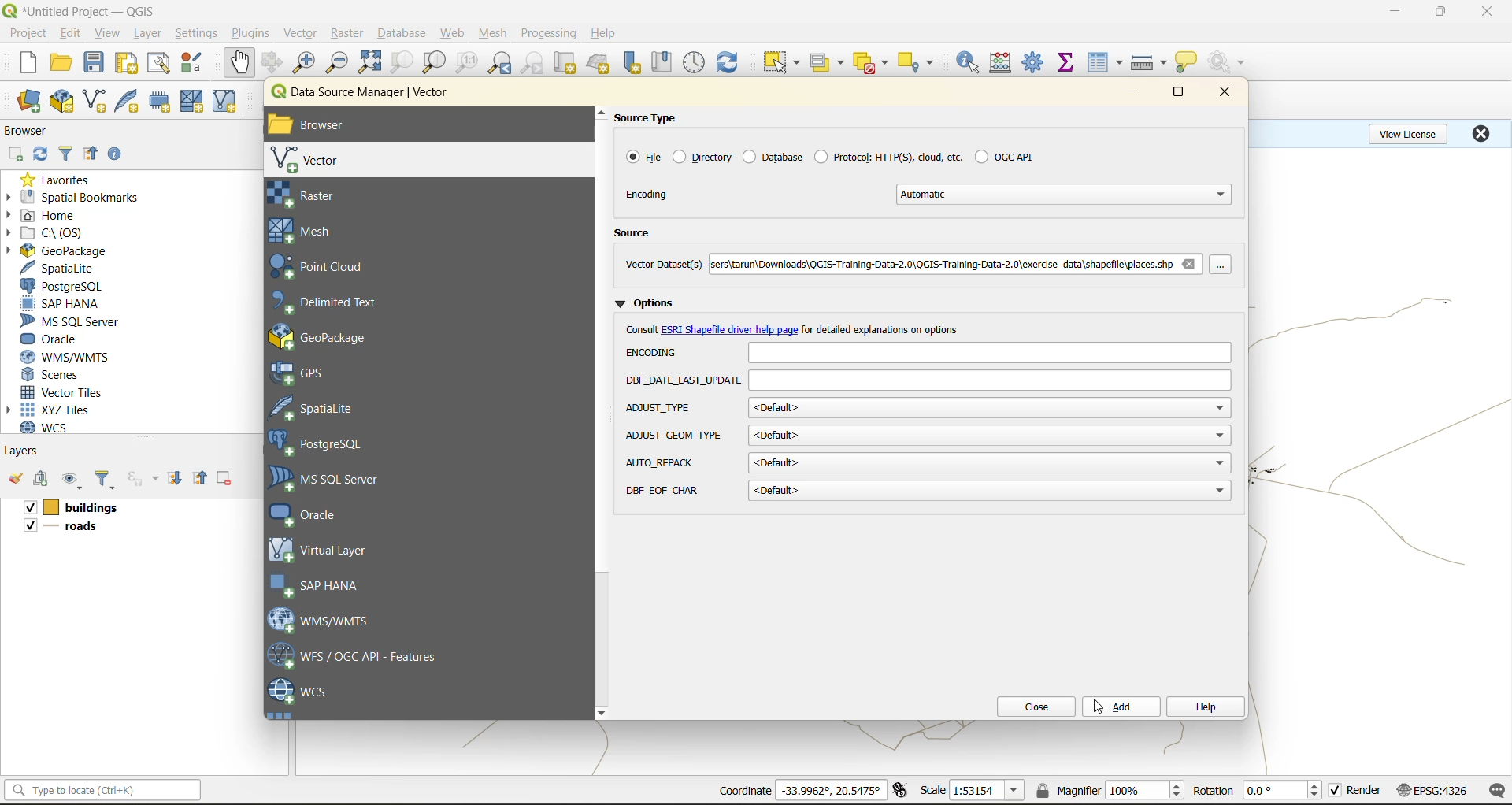 The height and width of the screenshot is (805, 1512). What do you see at coordinates (499, 63) in the screenshot?
I see `zoom last` at bounding box center [499, 63].